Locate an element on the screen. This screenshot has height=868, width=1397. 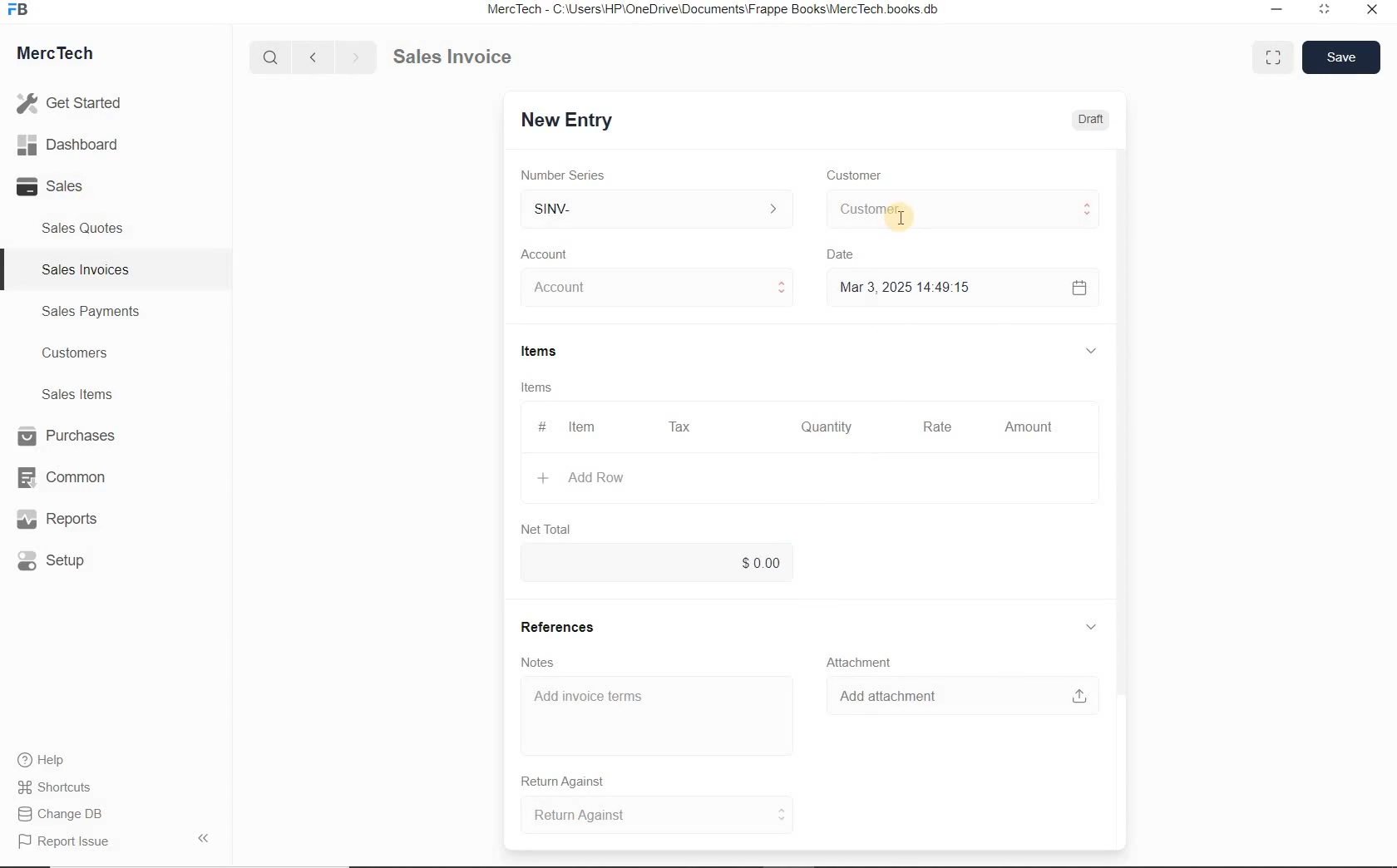
Help is located at coordinates (50, 760).